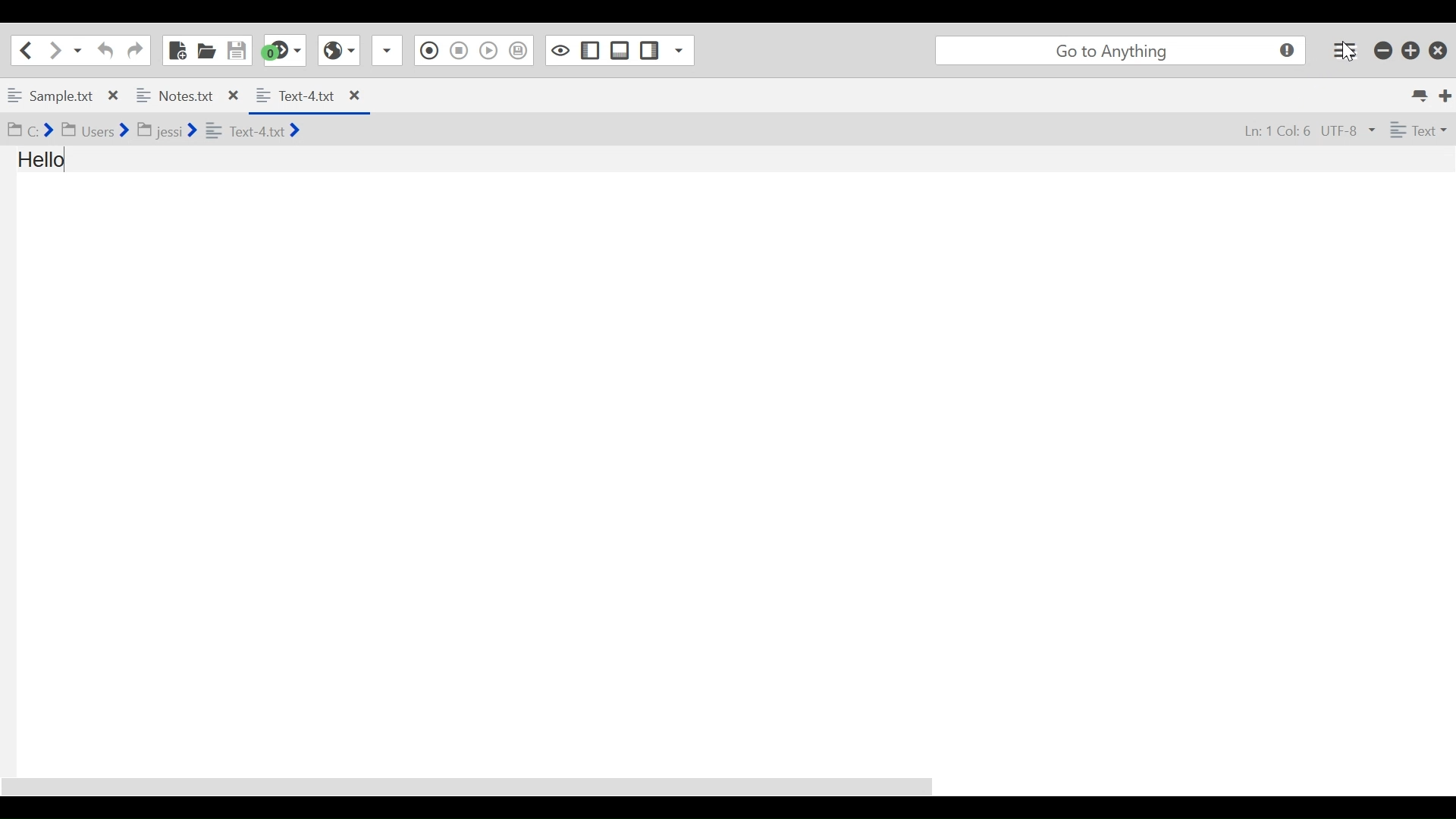 The width and height of the screenshot is (1456, 819). Describe the element at coordinates (29, 50) in the screenshot. I see `Go back one location` at that location.